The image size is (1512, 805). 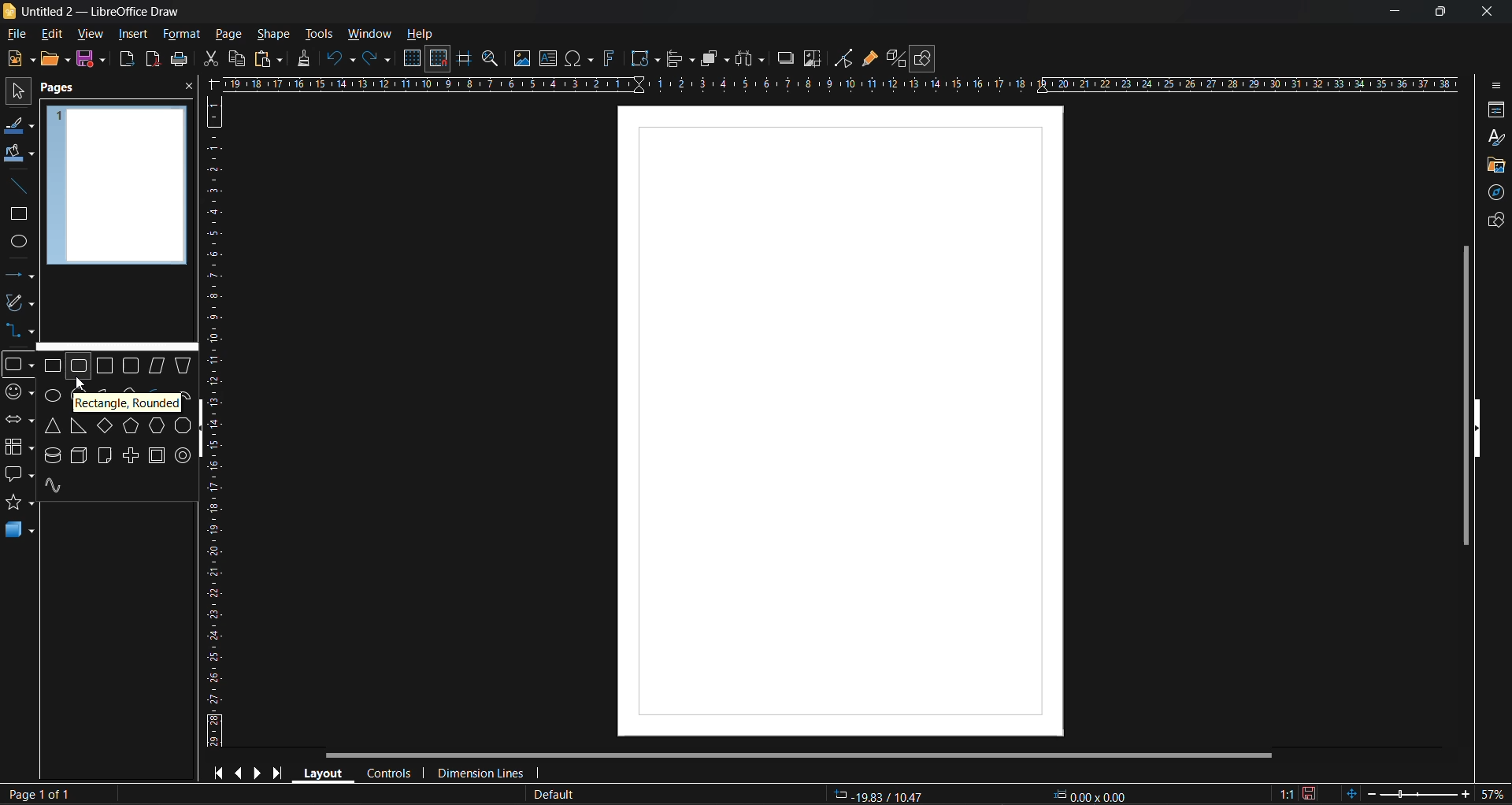 I want to click on page preview, so click(x=117, y=185).